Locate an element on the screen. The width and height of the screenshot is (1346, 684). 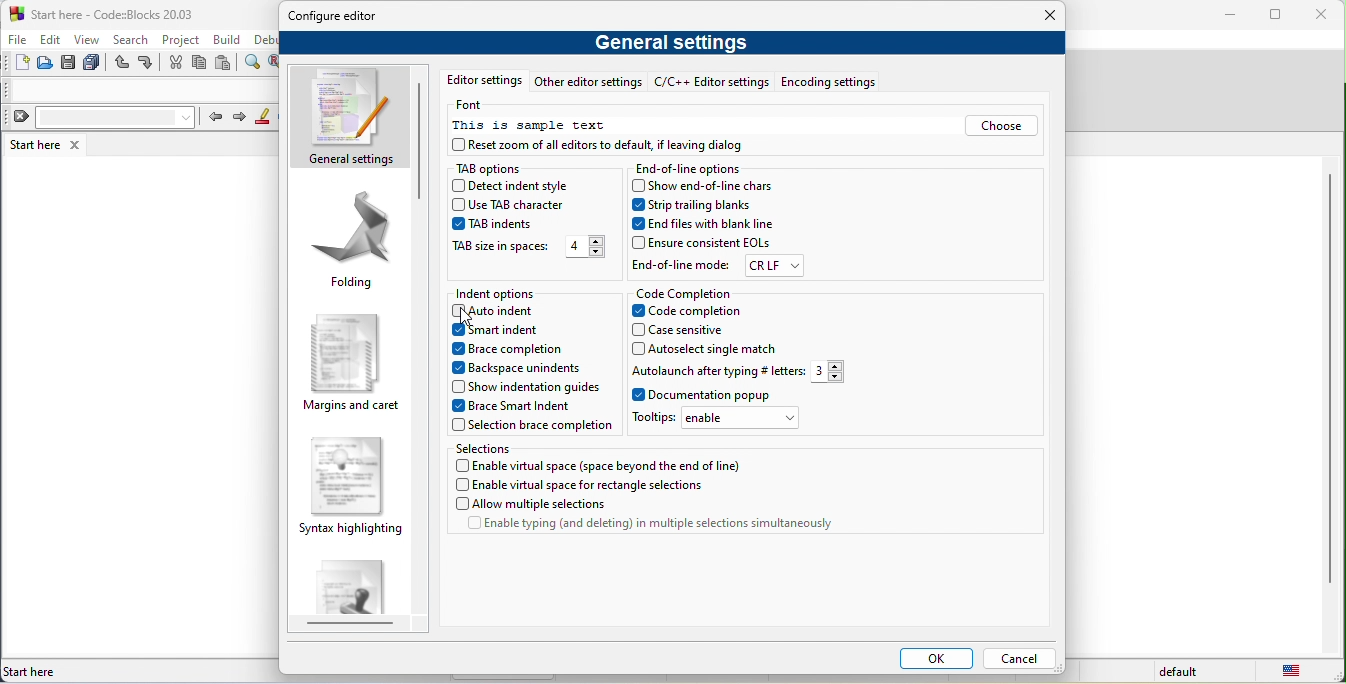
build is located at coordinates (231, 39).